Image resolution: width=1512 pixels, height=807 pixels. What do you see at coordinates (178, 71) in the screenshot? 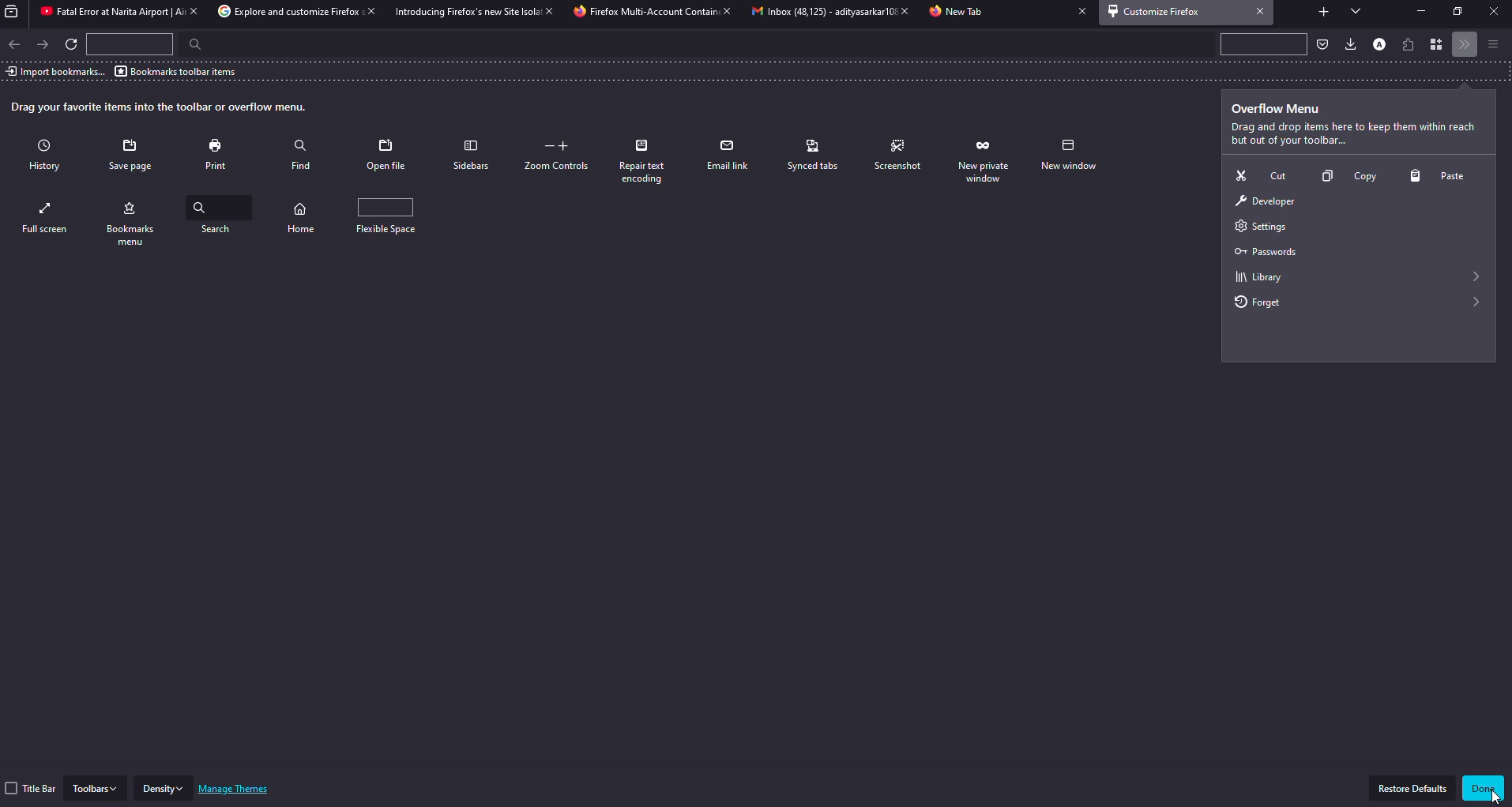
I see `bookmarks toolbar items` at bounding box center [178, 71].